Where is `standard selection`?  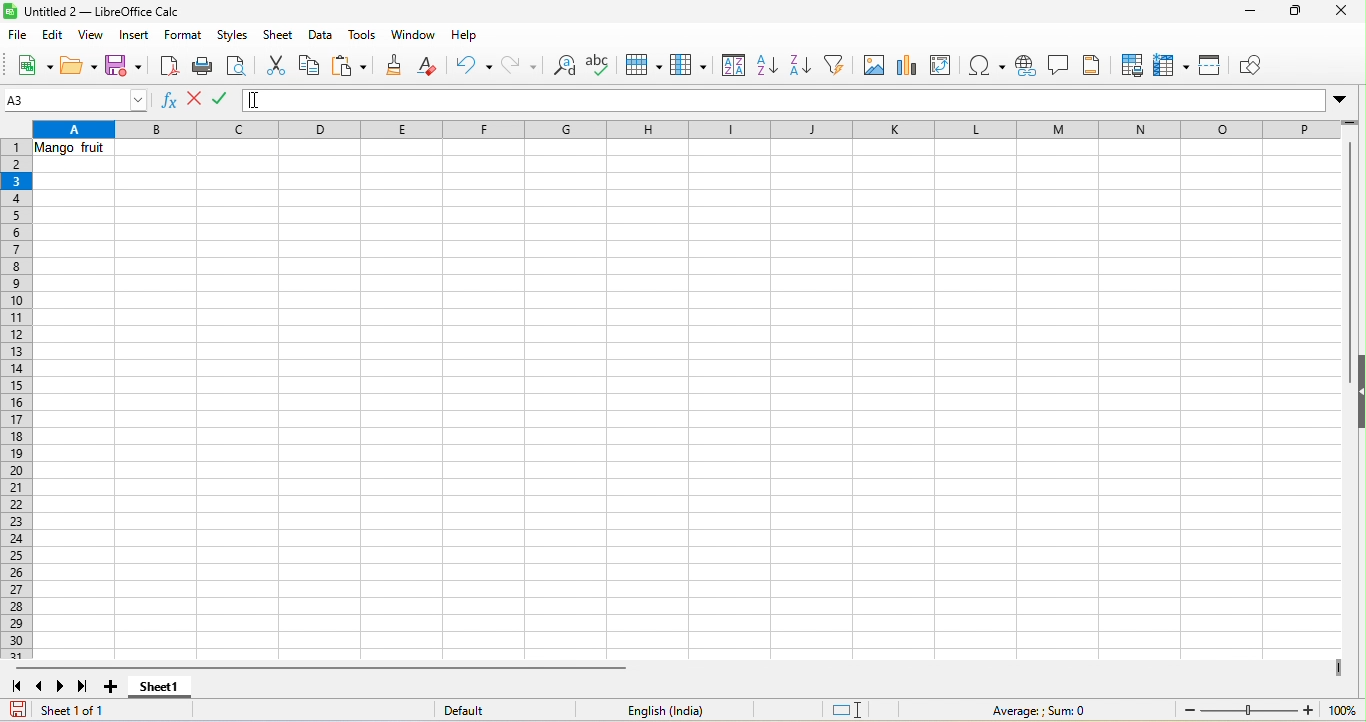
standard selection is located at coordinates (853, 709).